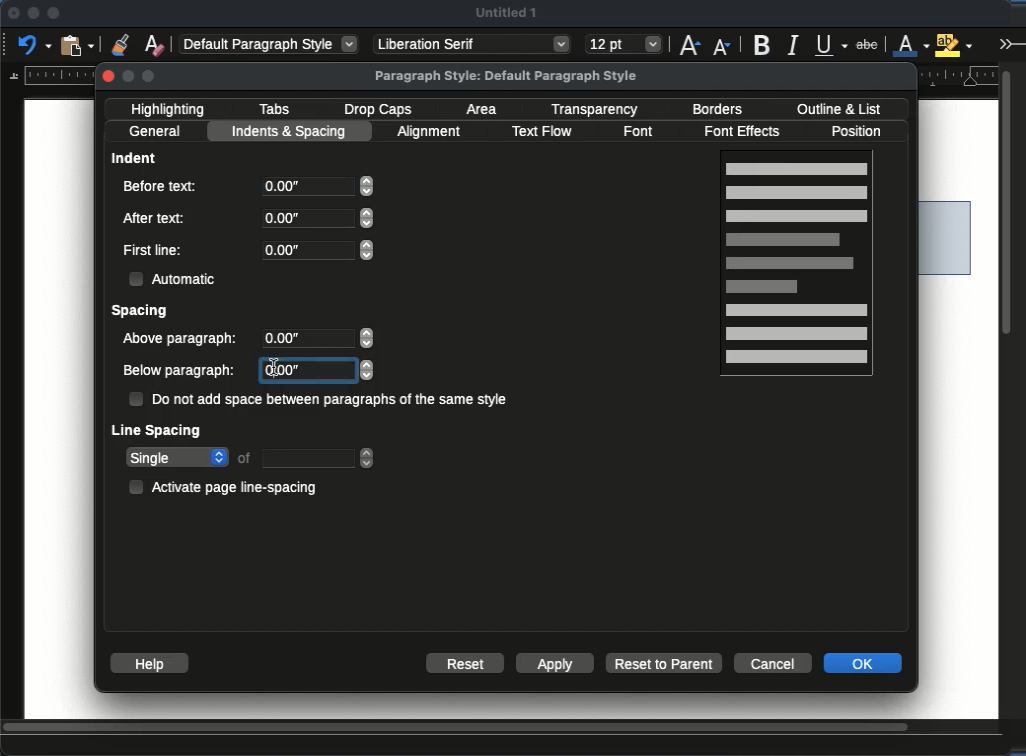 The height and width of the screenshot is (756, 1026). What do you see at coordinates (246, 457) in the screenshot?
I see `of` at bounding box center [246, 457].